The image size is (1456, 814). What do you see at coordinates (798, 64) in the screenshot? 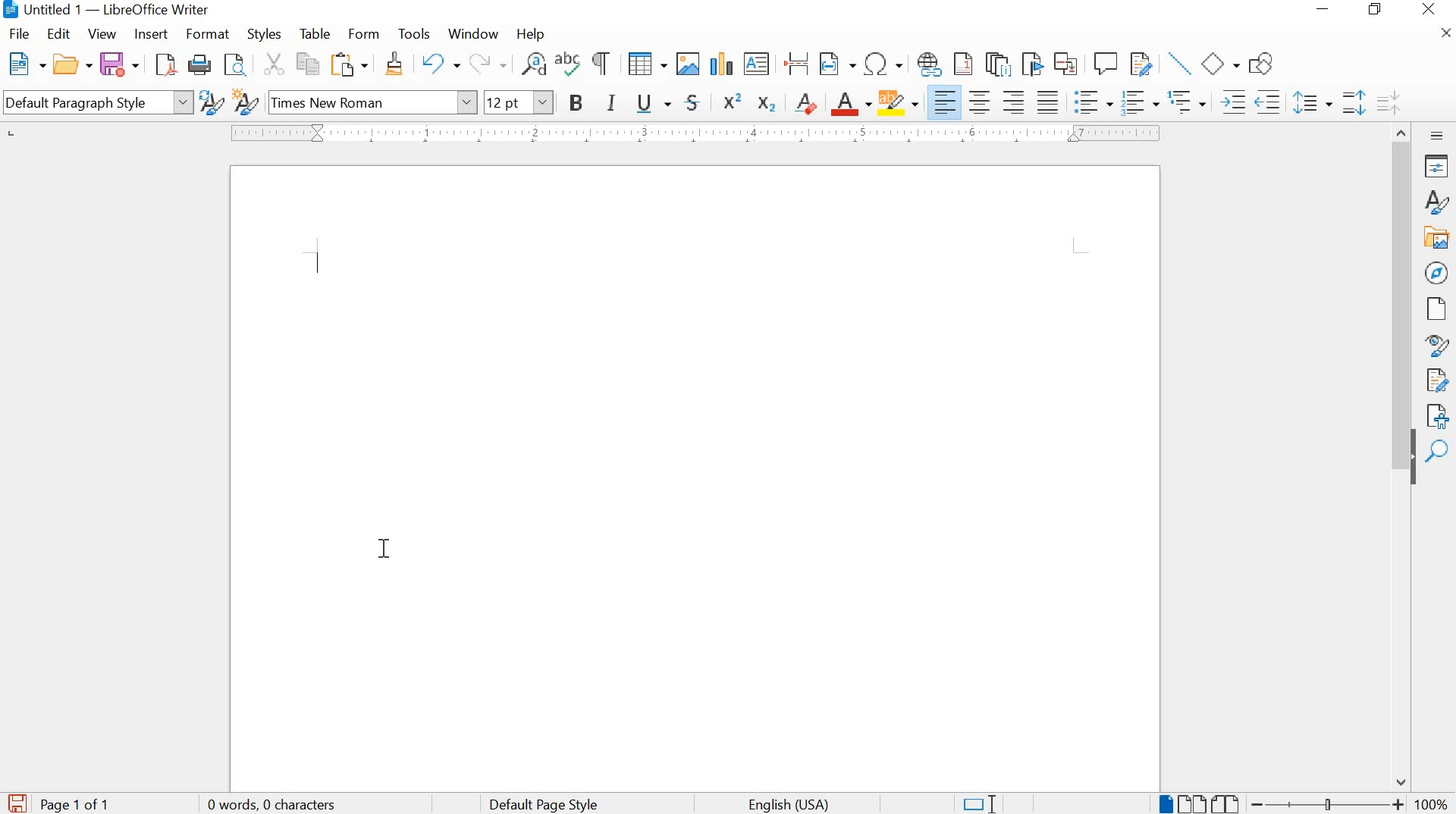
I see `INSERT PAGE BREAK` at bounding box center [798, 64].